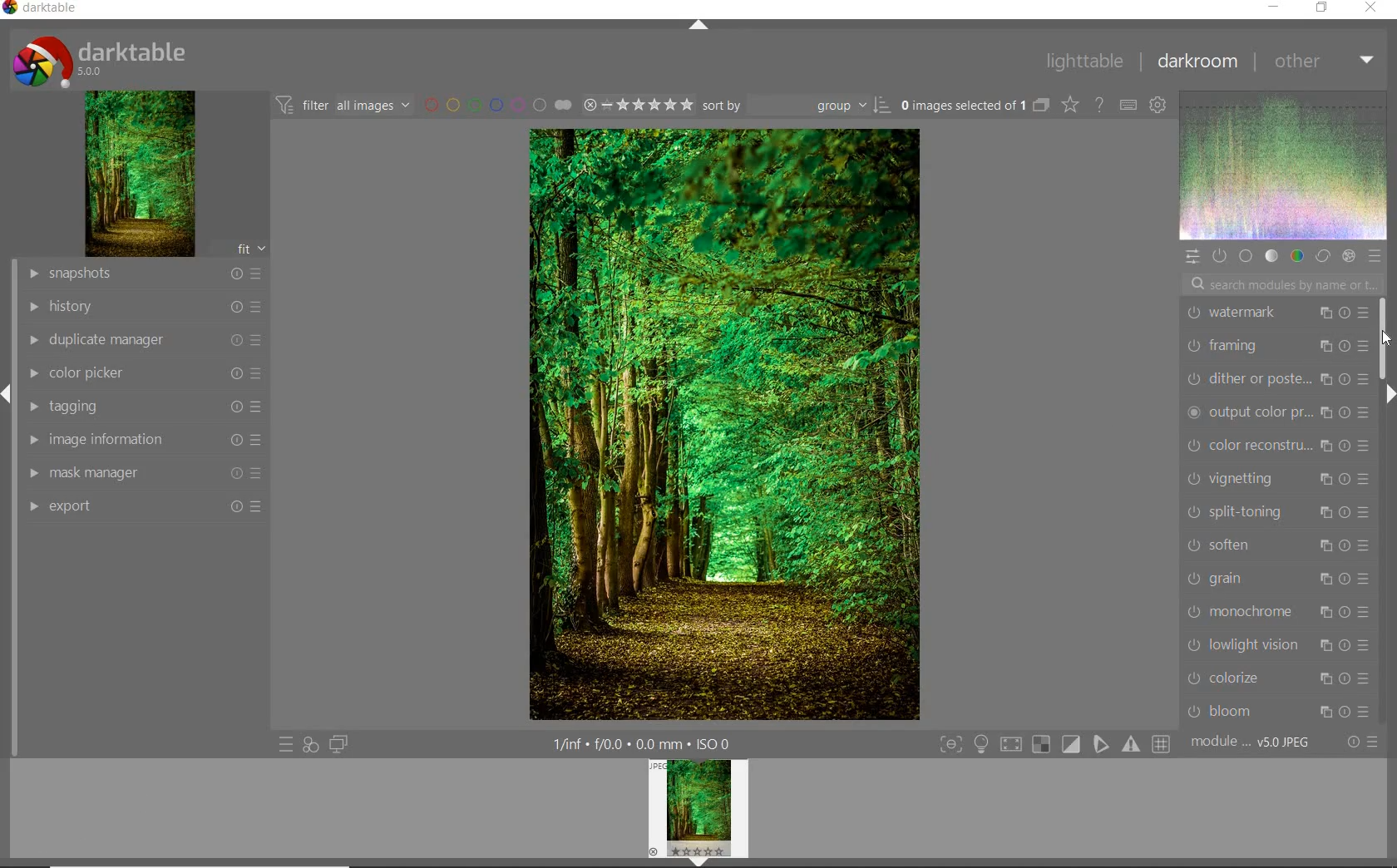  I want to click on cursor, so click(1386, 342).